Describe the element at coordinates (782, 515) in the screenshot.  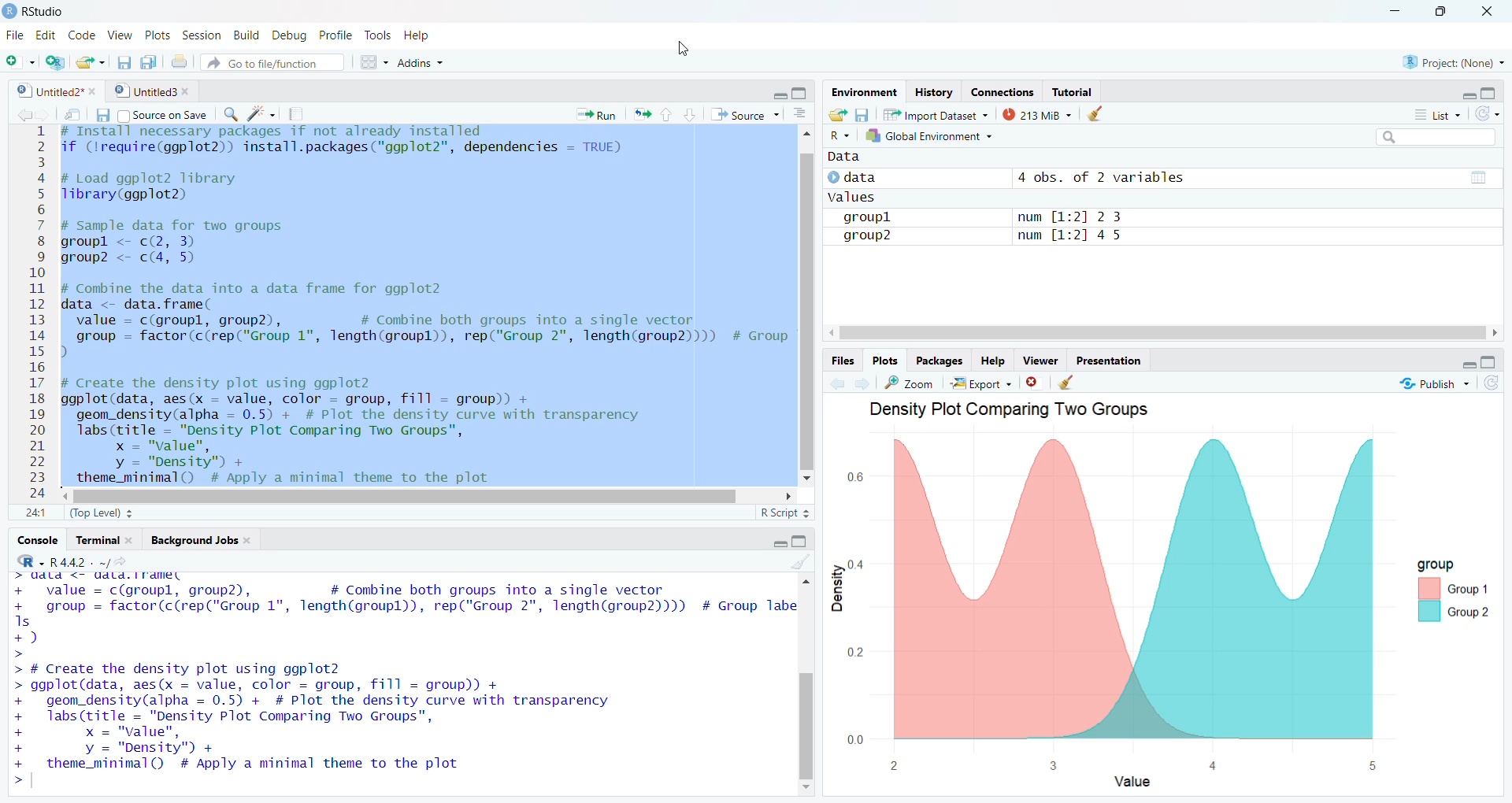
I see `R SCRIPT` at that location.